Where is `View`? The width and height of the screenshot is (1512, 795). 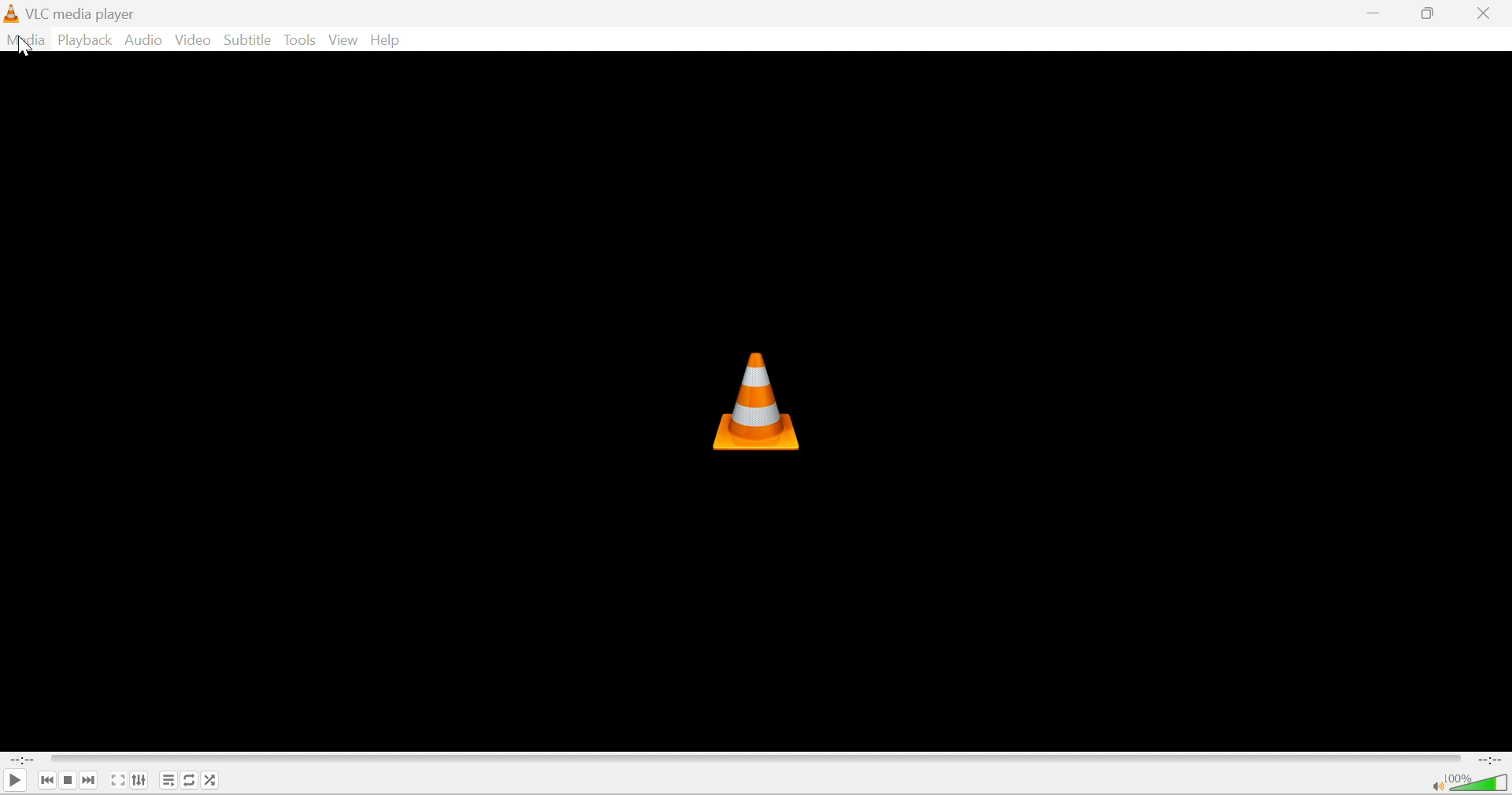
View is located at coordinates (345, 41).